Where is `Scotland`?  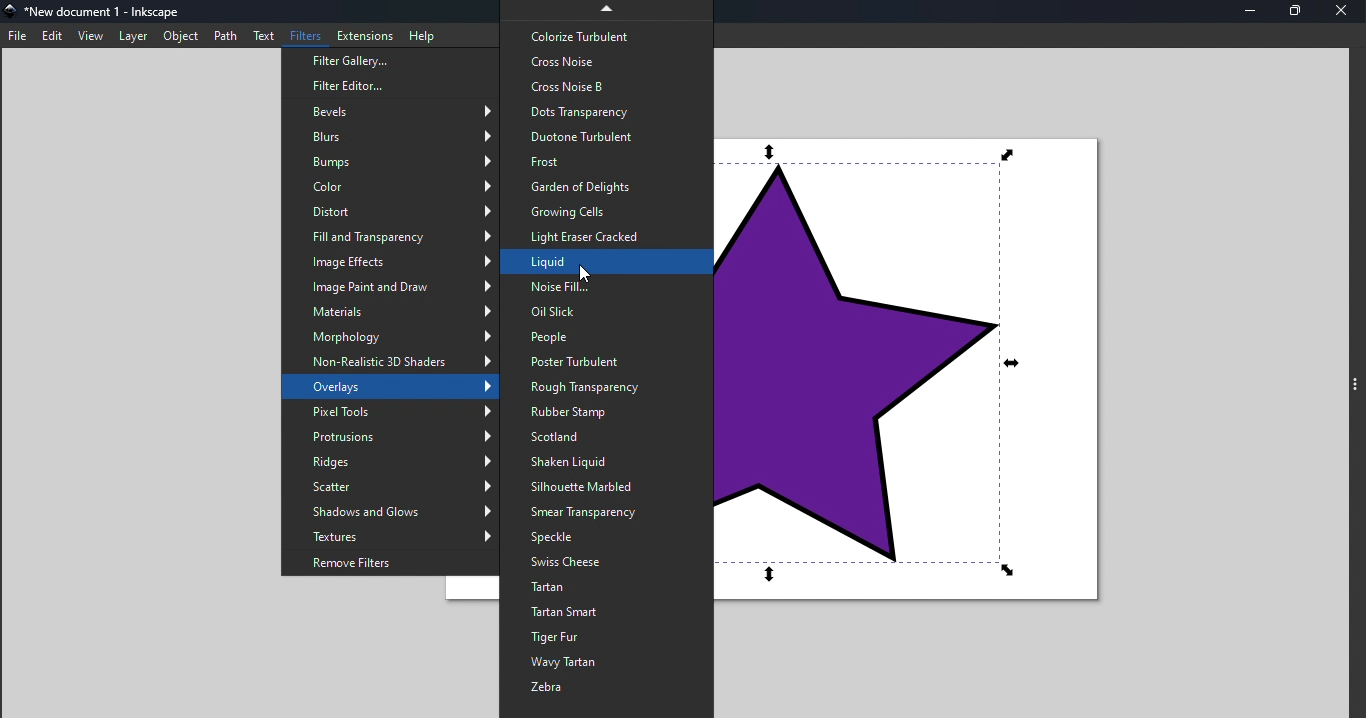 Scotland is located at coordinates (604, 439).